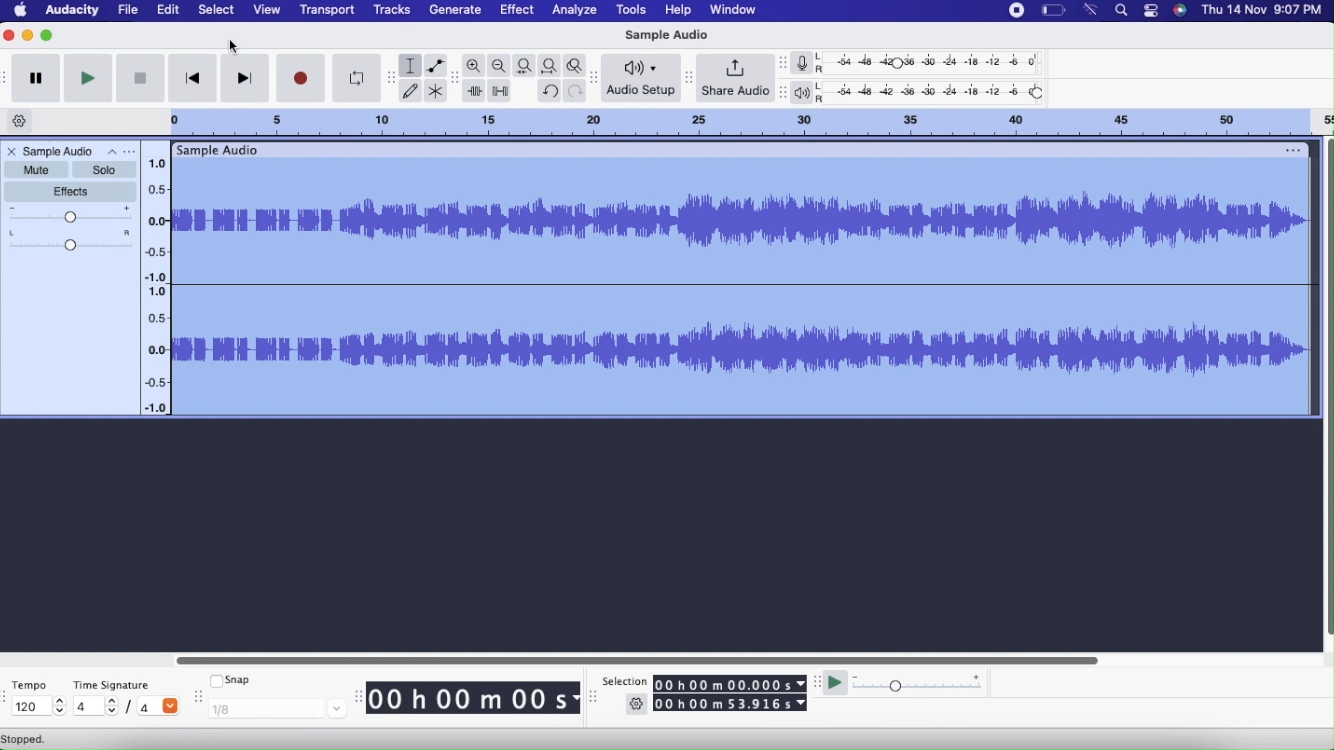 The height and width of the screenshot is (750, 1334). I want to click on /4, so click(157, 706).